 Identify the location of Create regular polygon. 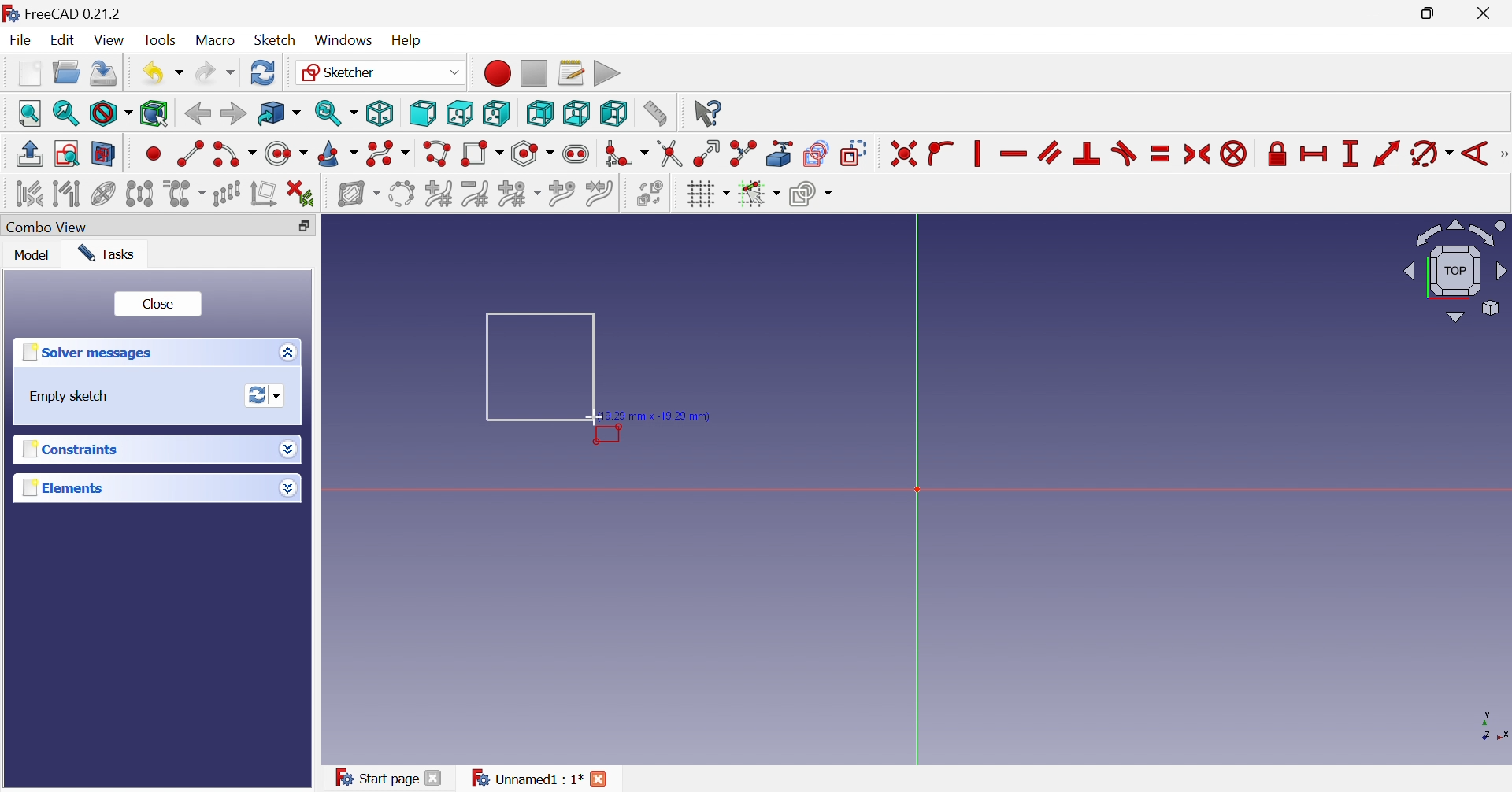
(533, 154).